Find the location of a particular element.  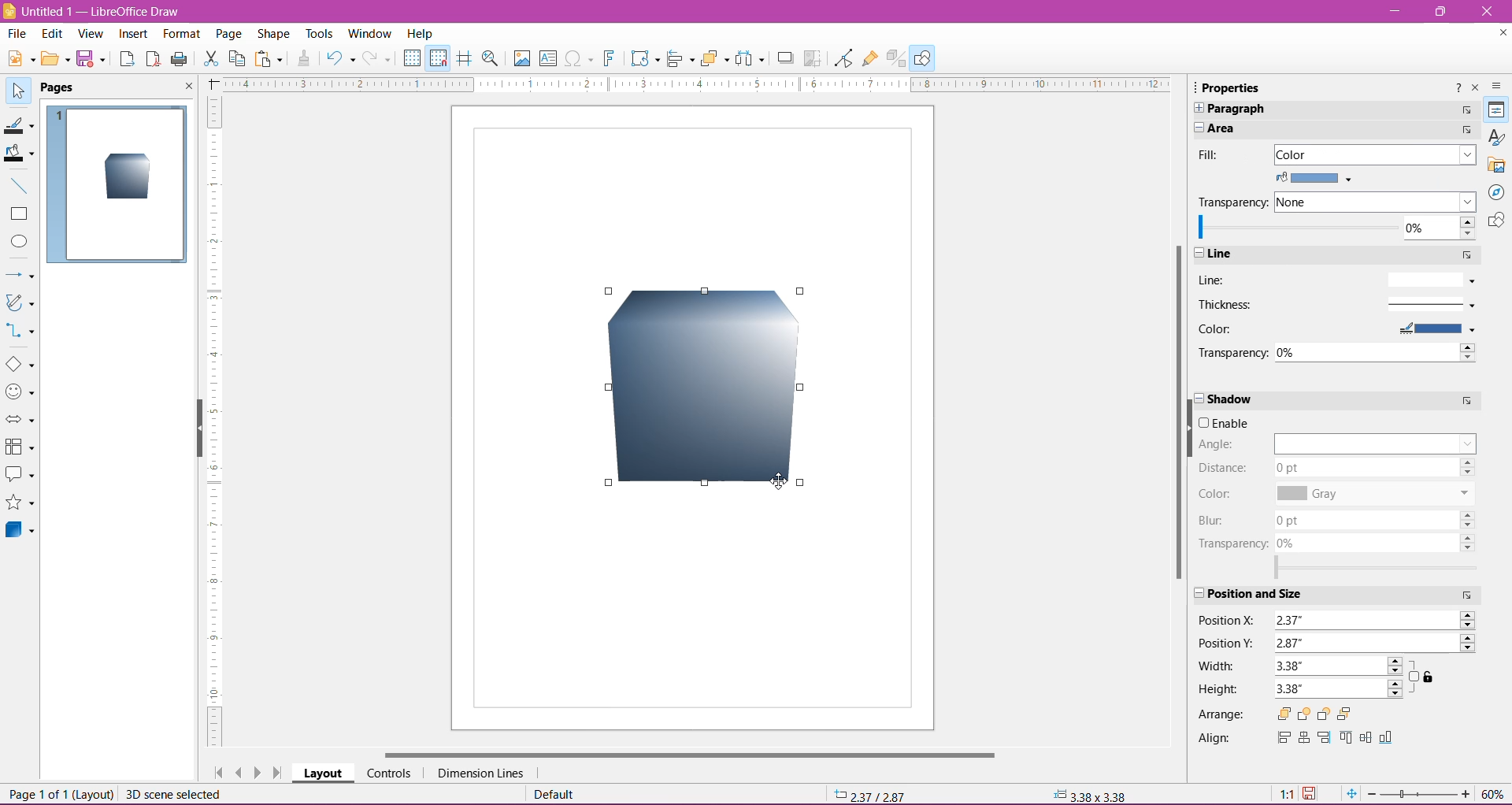

Curves and Polygons is located at coordinates (20, 304).